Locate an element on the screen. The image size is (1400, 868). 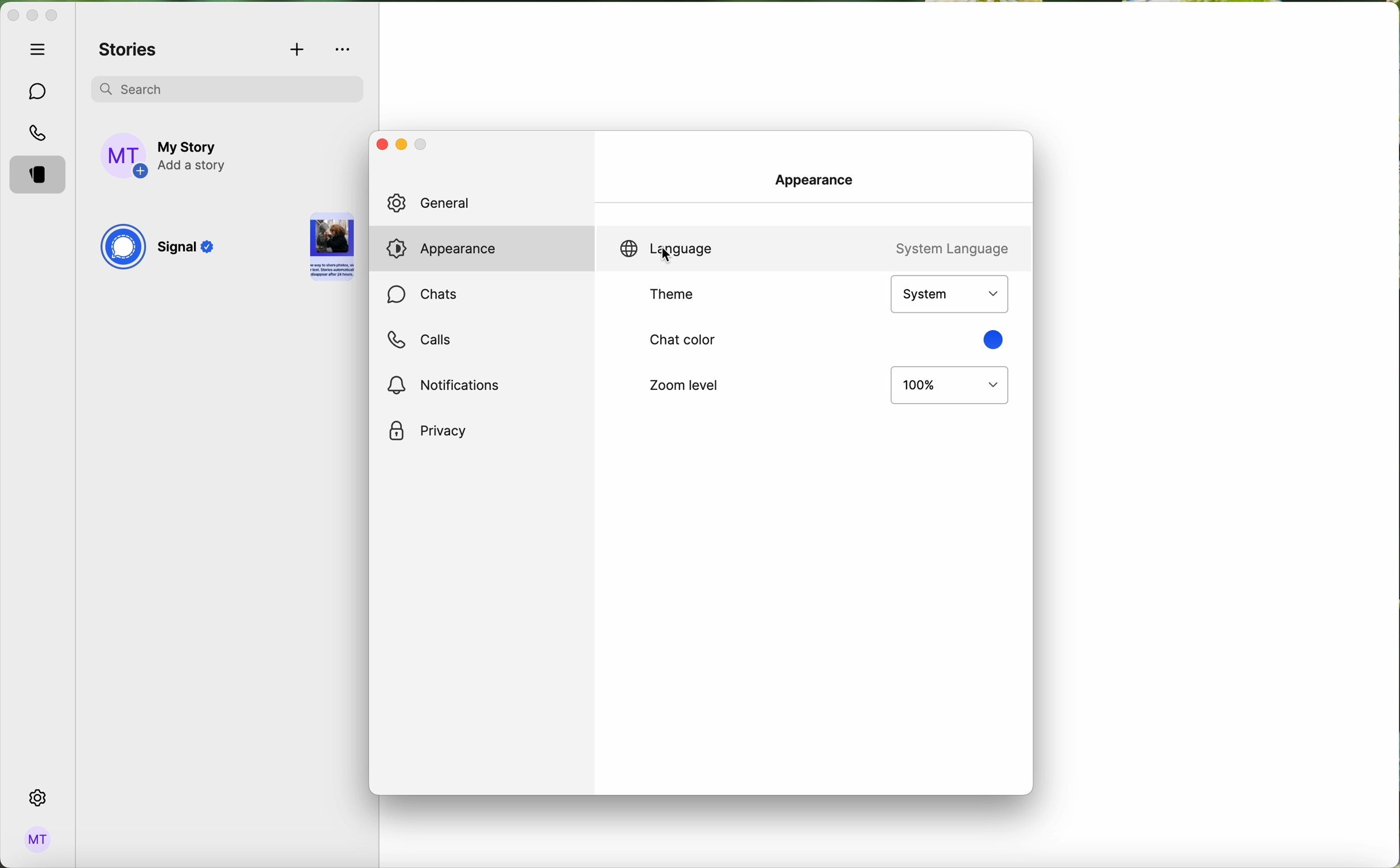
more options is located at coordinates (344, 49).